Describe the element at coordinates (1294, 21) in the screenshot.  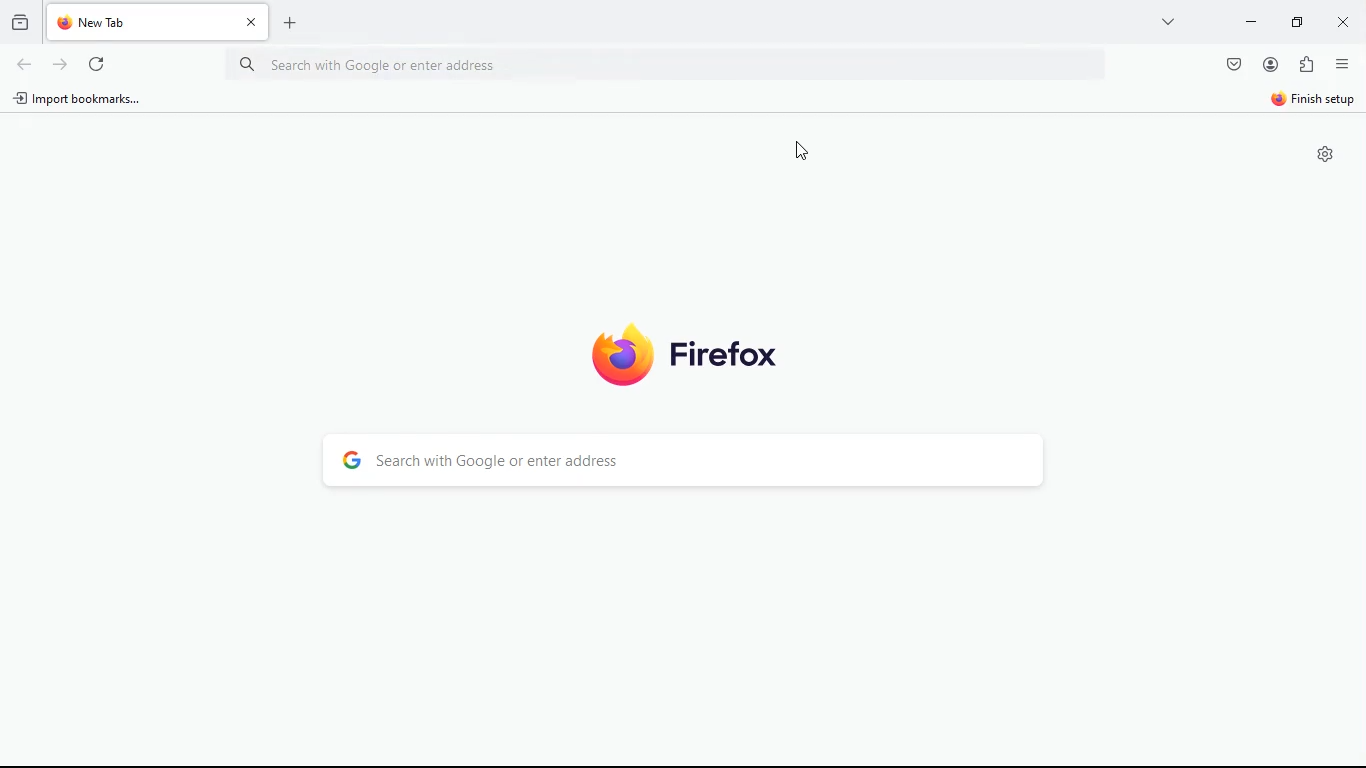
I see `minimize` at that location.